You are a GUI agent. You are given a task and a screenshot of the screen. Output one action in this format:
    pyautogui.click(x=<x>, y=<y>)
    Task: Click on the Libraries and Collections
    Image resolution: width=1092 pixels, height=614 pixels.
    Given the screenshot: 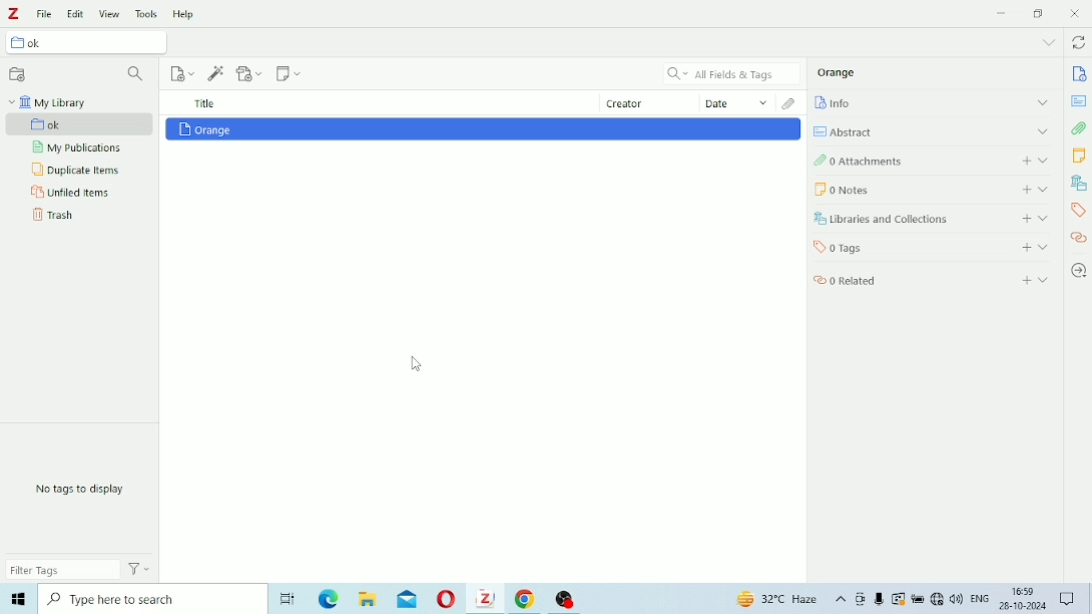 What is the action you would take?
    pyautogui.click(x=1078, y=182)
    